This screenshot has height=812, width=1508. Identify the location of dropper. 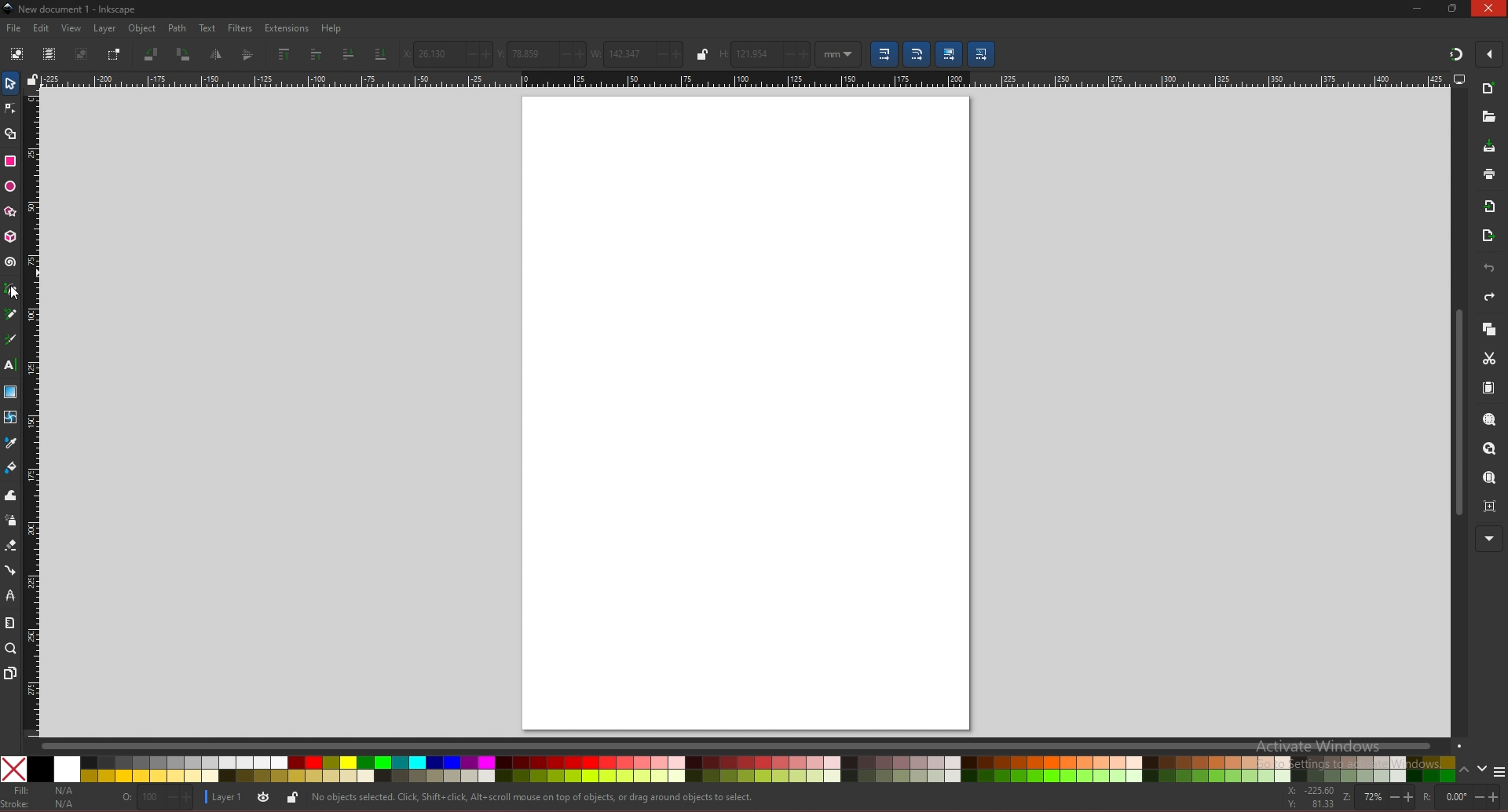
(11, 444).